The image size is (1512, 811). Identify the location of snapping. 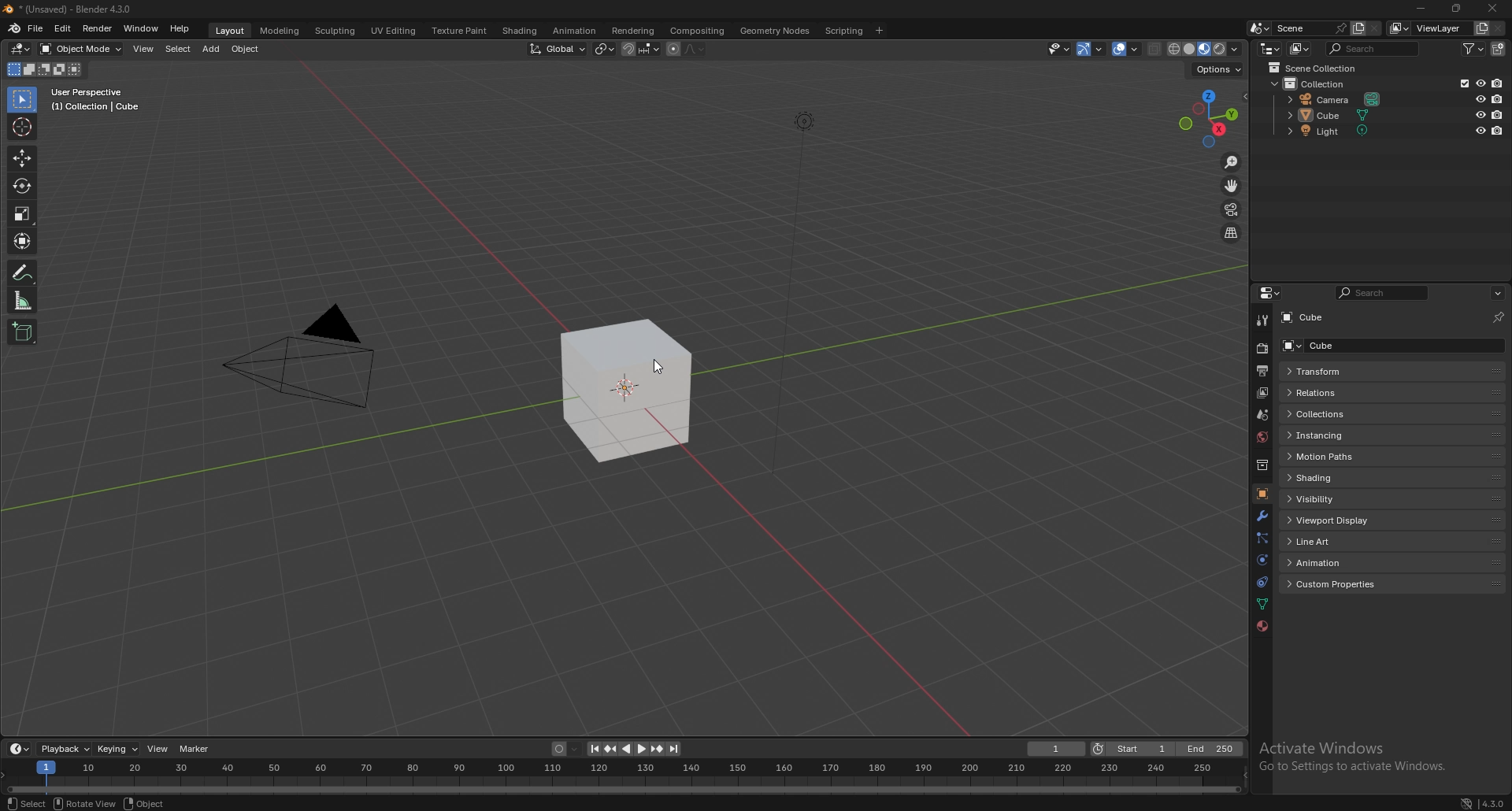
(641, 49).